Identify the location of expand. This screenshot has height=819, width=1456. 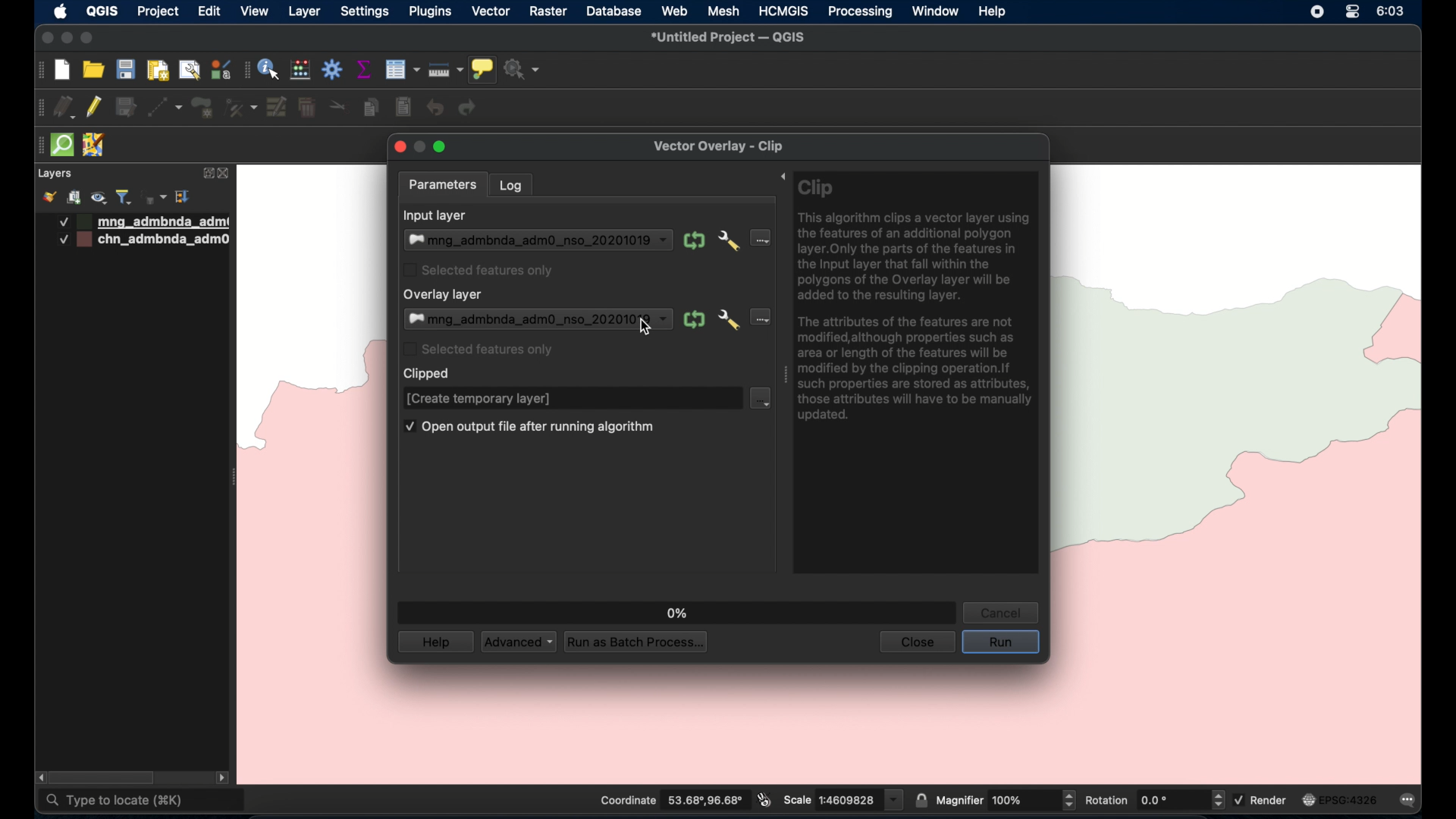
(206, 174).